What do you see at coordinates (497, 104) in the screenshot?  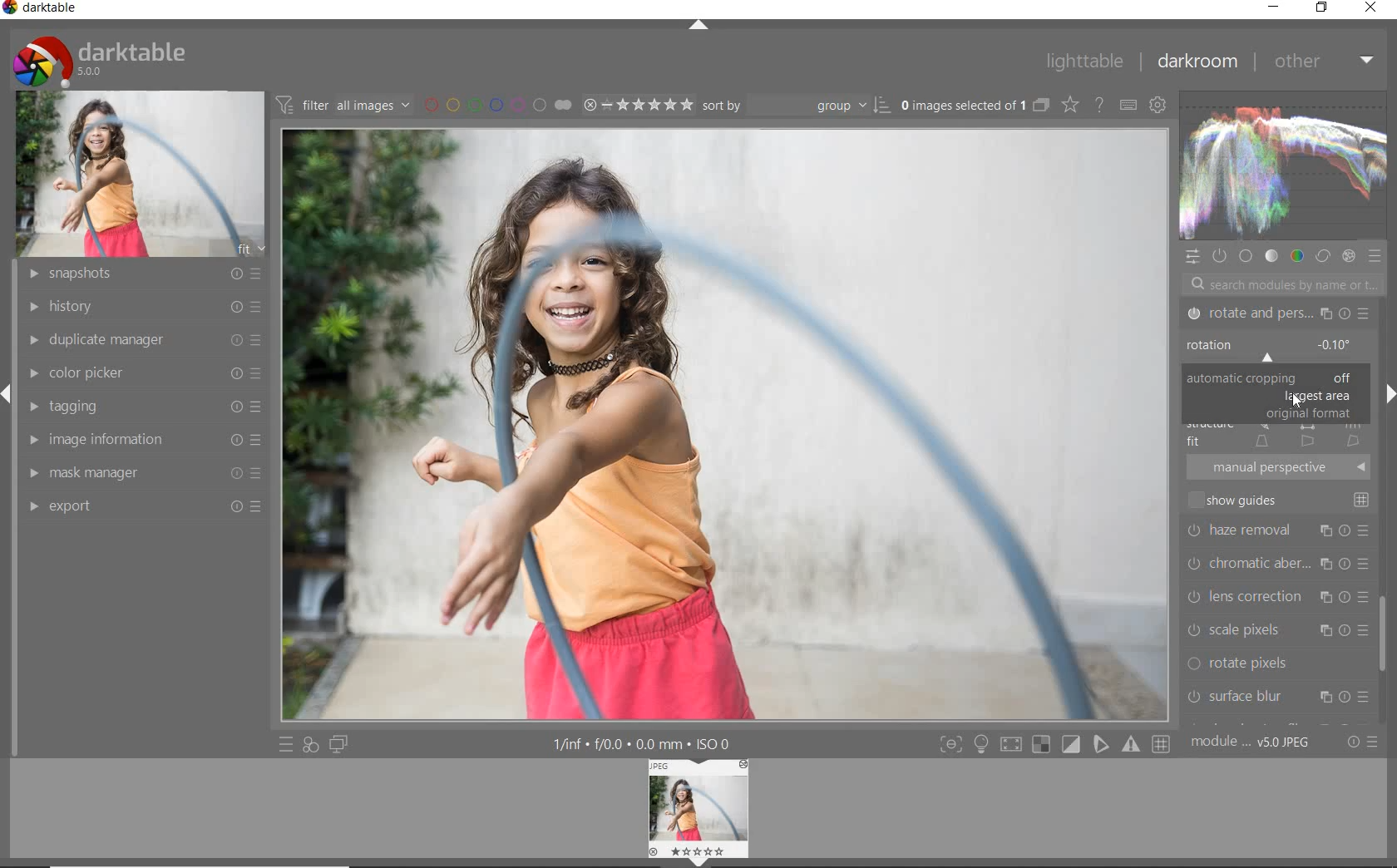 I see `filter by image color label` at bounding box center [497, 104].